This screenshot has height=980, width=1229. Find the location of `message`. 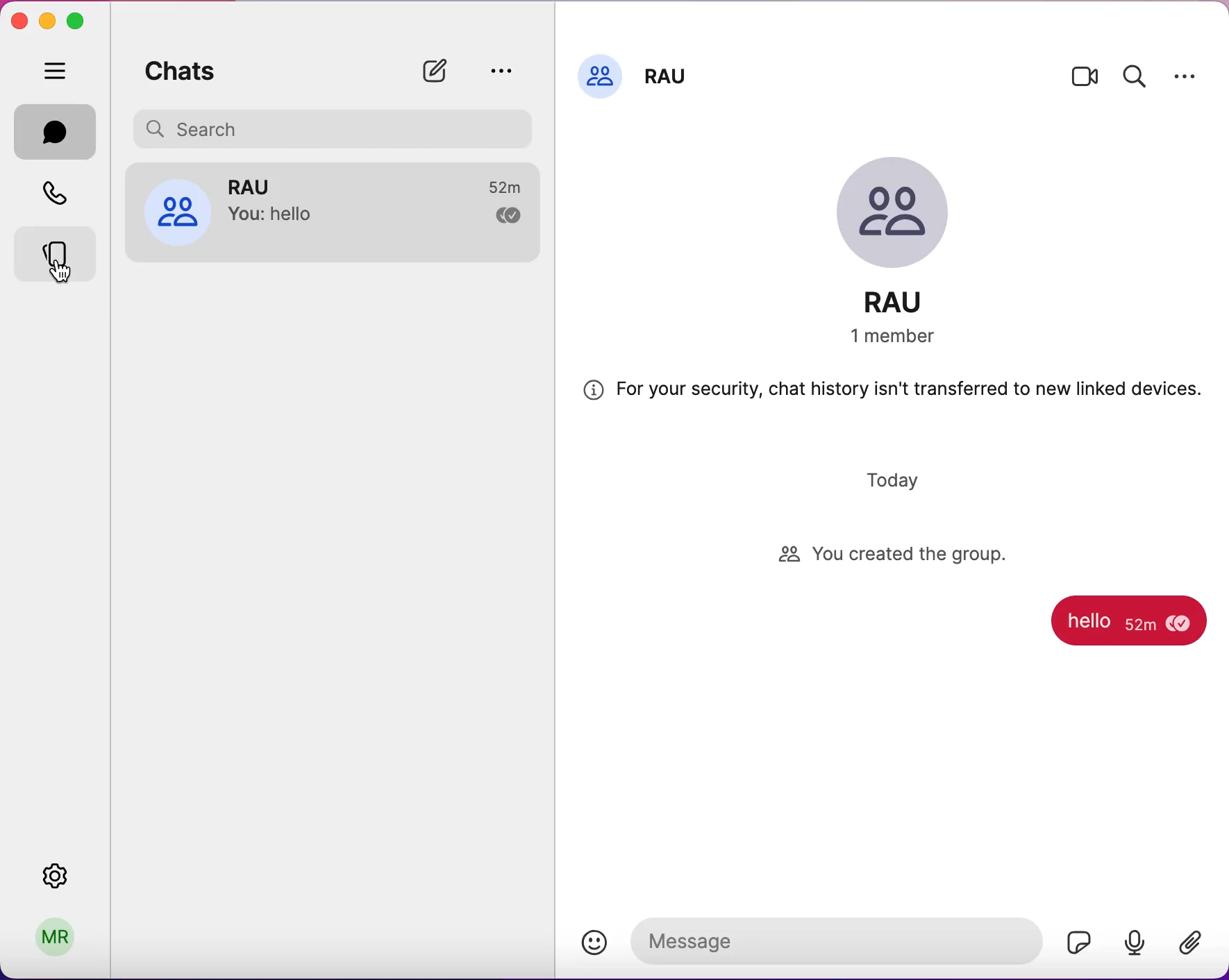

message is located at coordinates (833, 940).